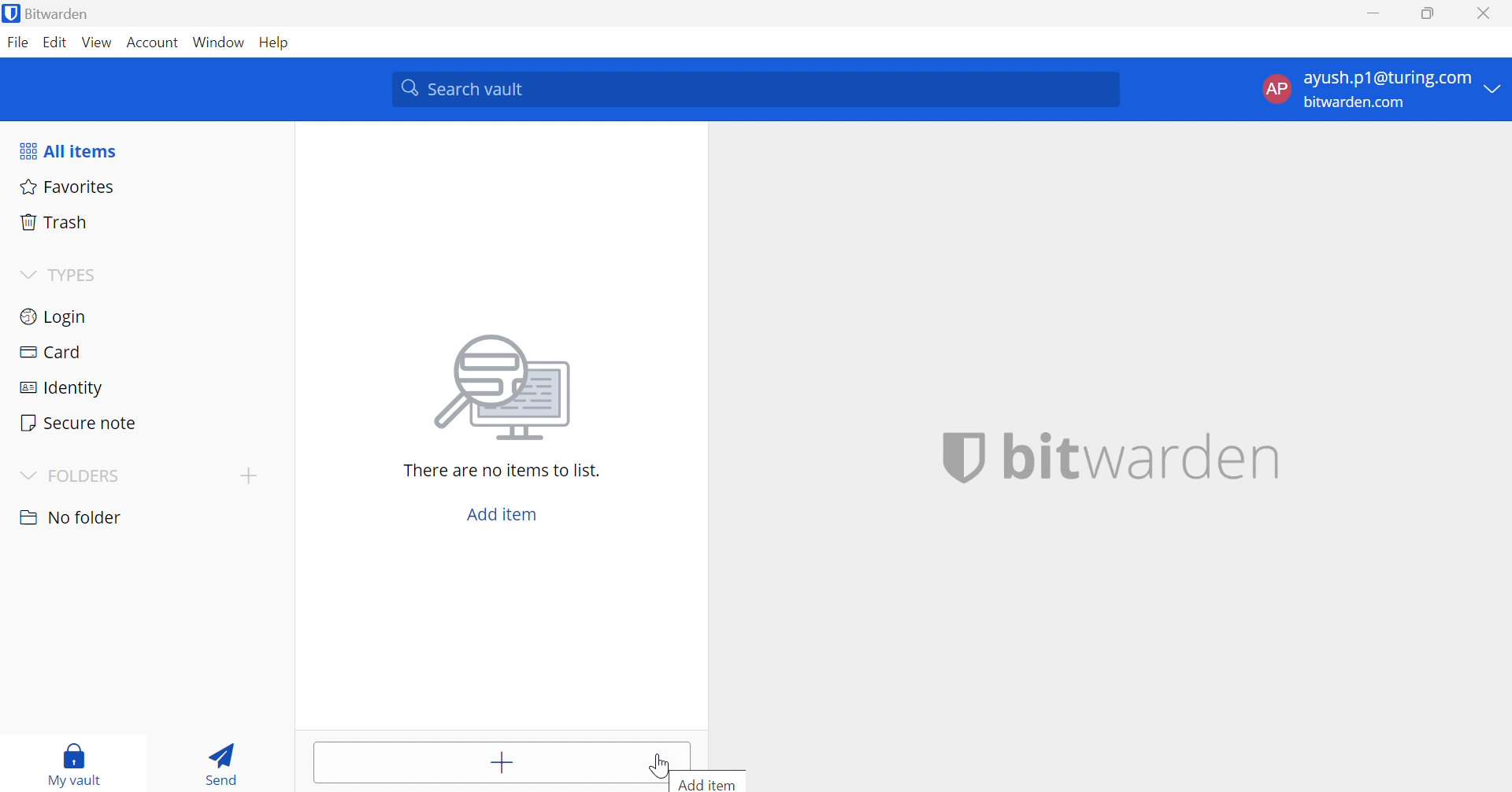  I want to click on account menu, so click(1379, 90).